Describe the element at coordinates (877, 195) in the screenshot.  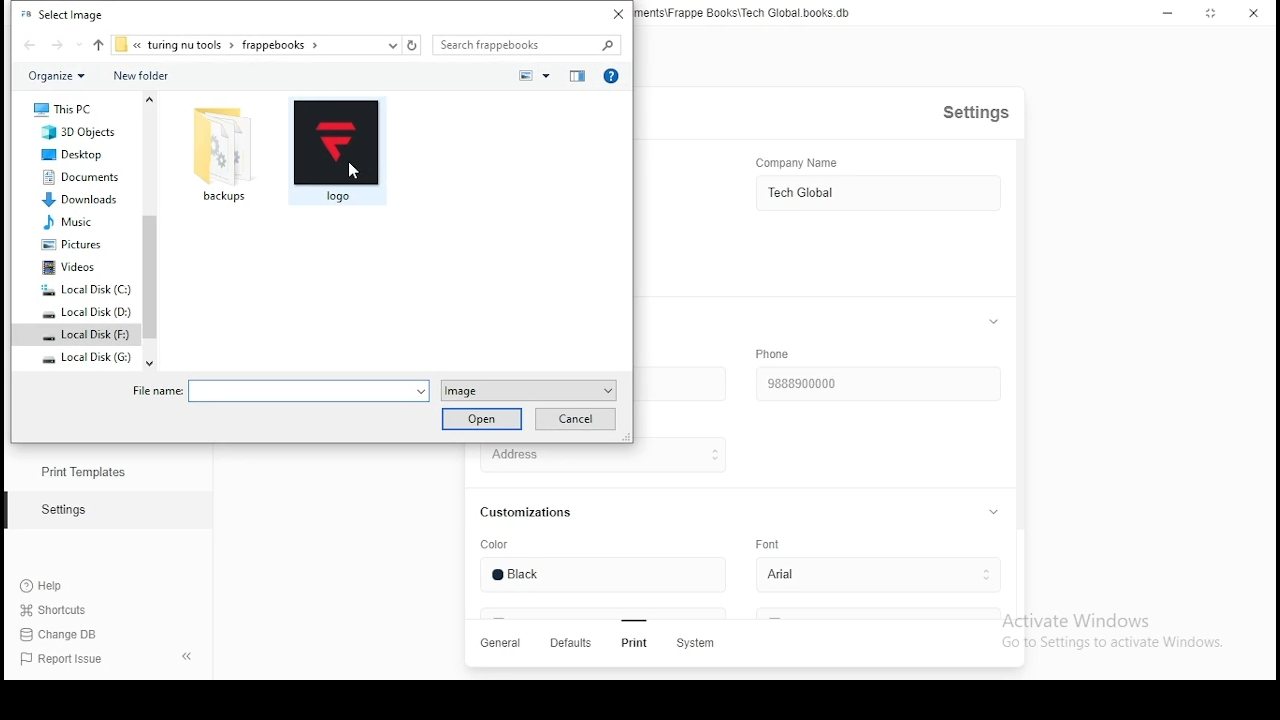
I see `COMPANY NAME INPUT BOX` at that location.